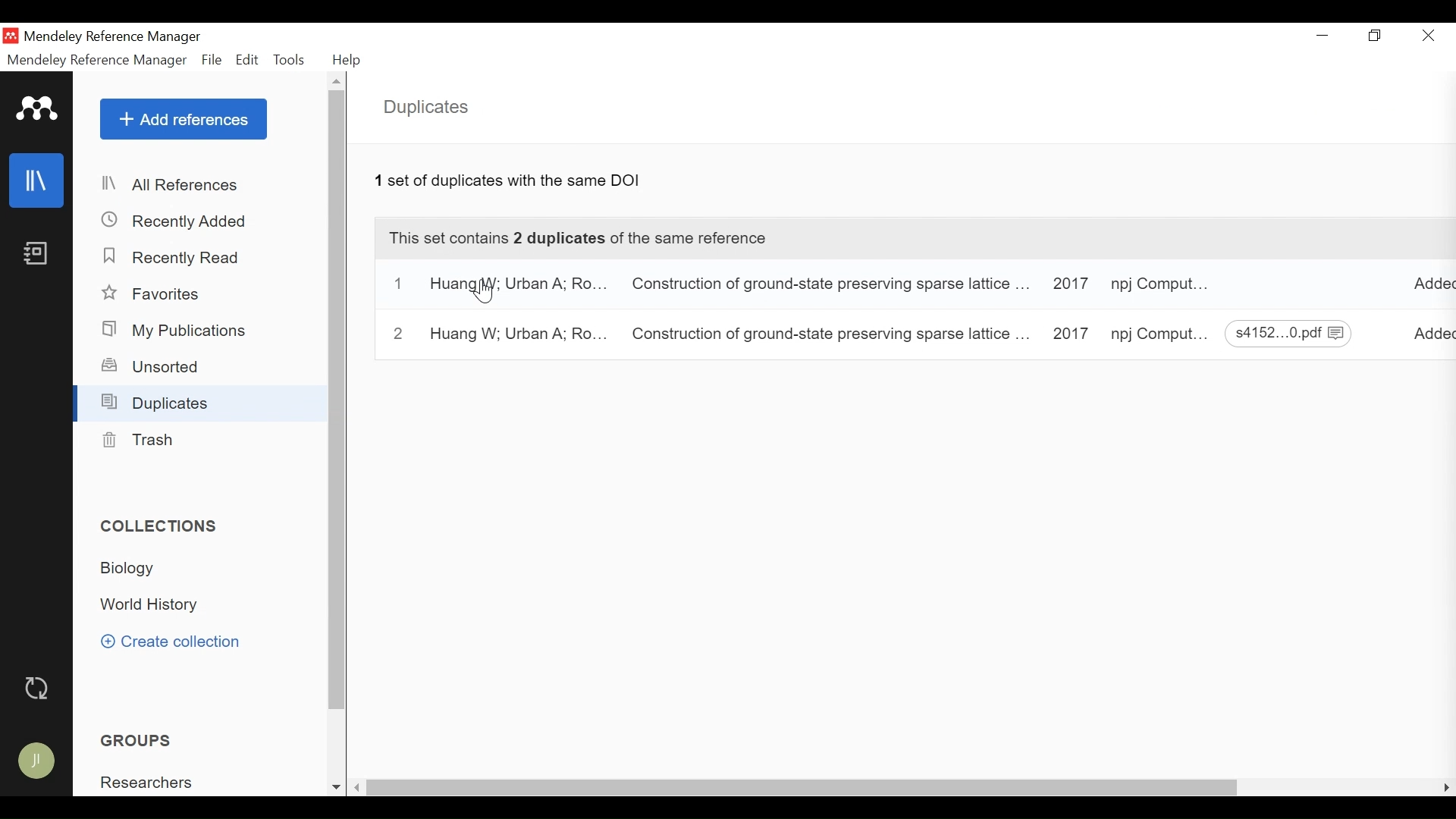 The height and width of the screenshot is (819, 1456). What do you see at coordinates (139, 740) in the screenshot?
I see `Groups` at bounding box center [139, 740].